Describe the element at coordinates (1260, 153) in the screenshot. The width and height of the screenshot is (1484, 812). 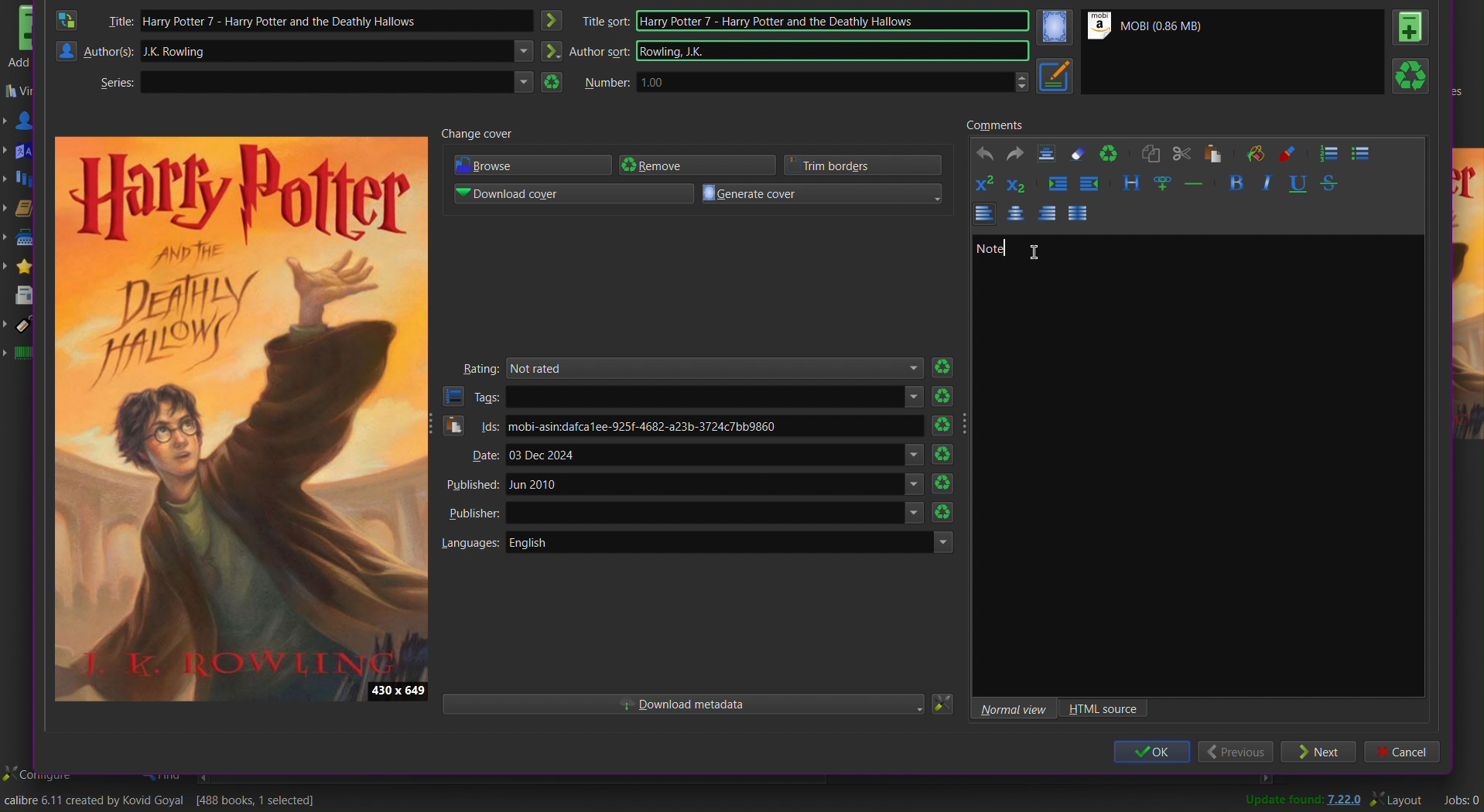
I see `Background color` at that location.